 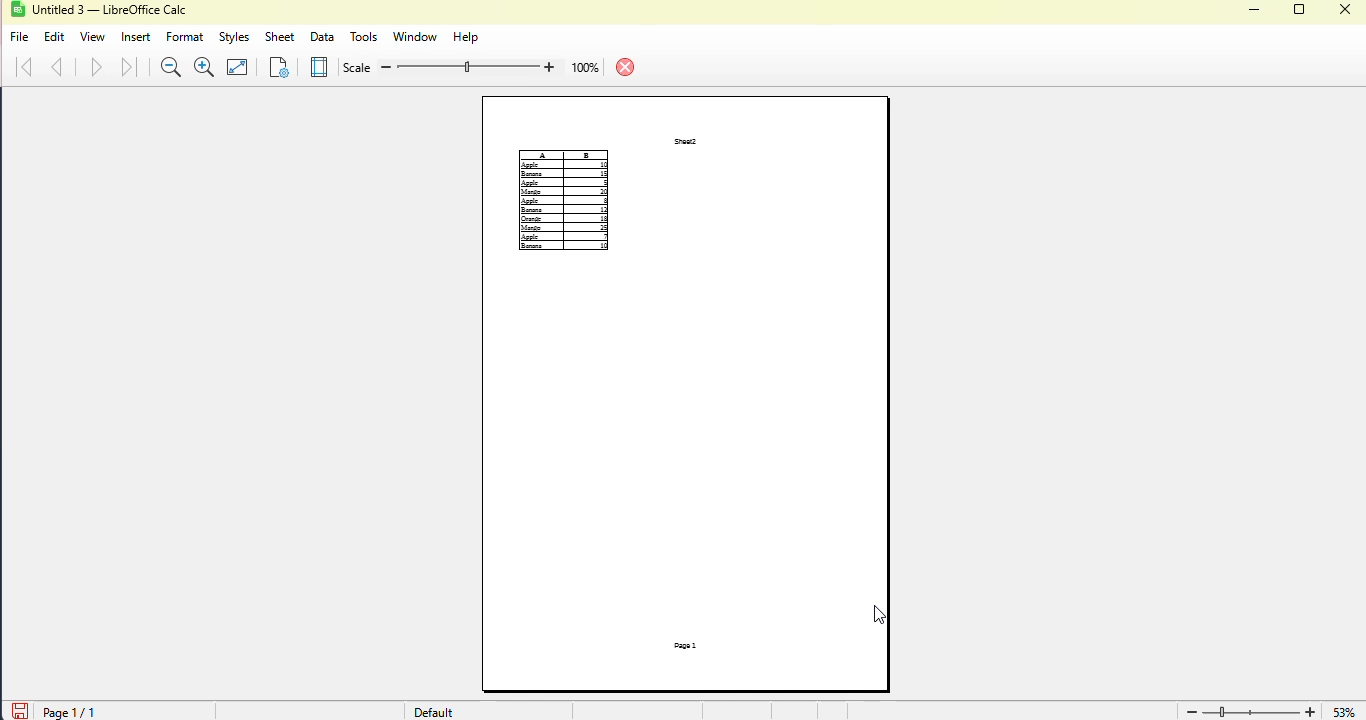 I want to click on close preview, so click(x=626, y=67).